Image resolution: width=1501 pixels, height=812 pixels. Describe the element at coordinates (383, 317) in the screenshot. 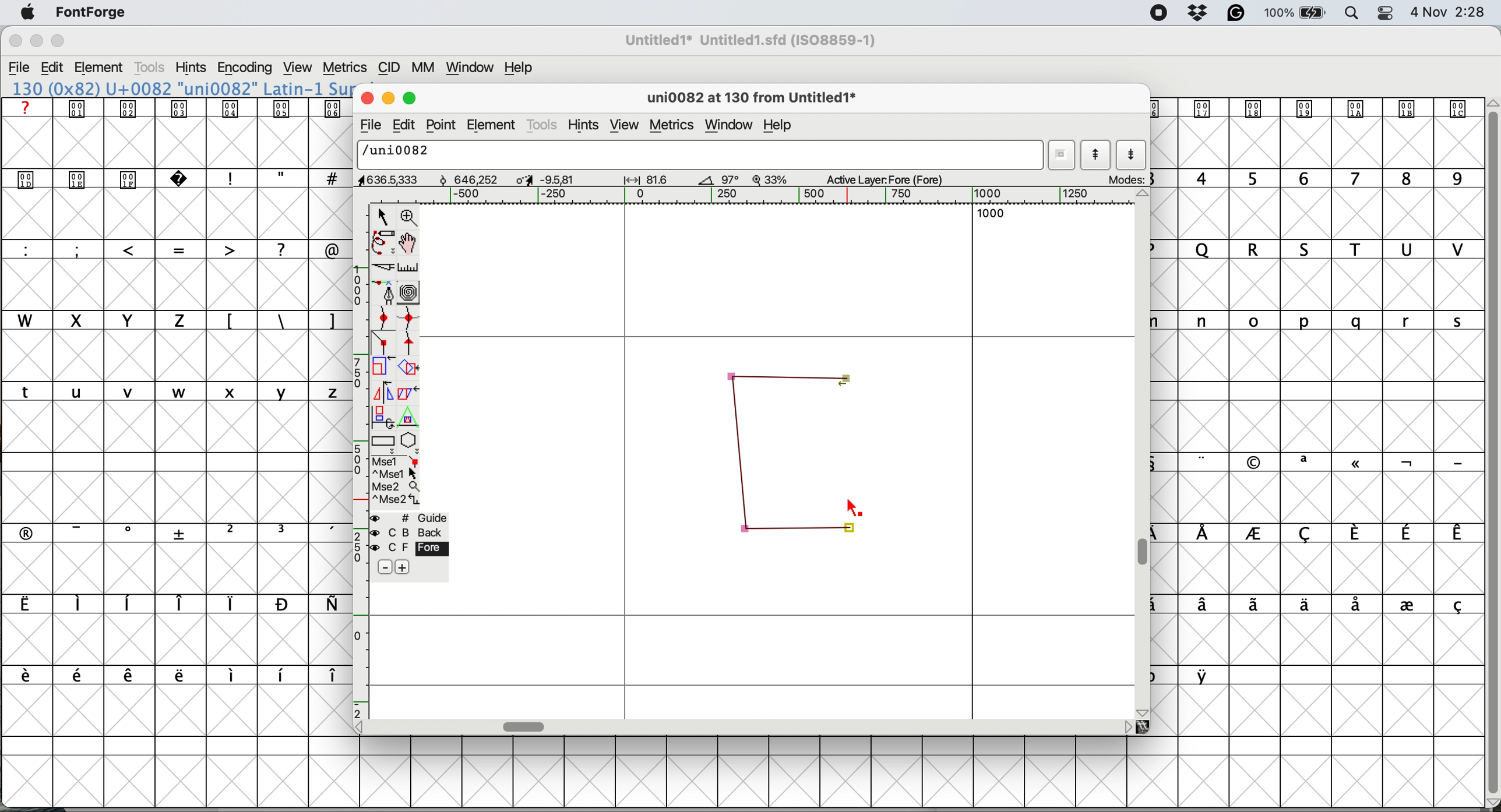

I see `add a curve point` at that location.